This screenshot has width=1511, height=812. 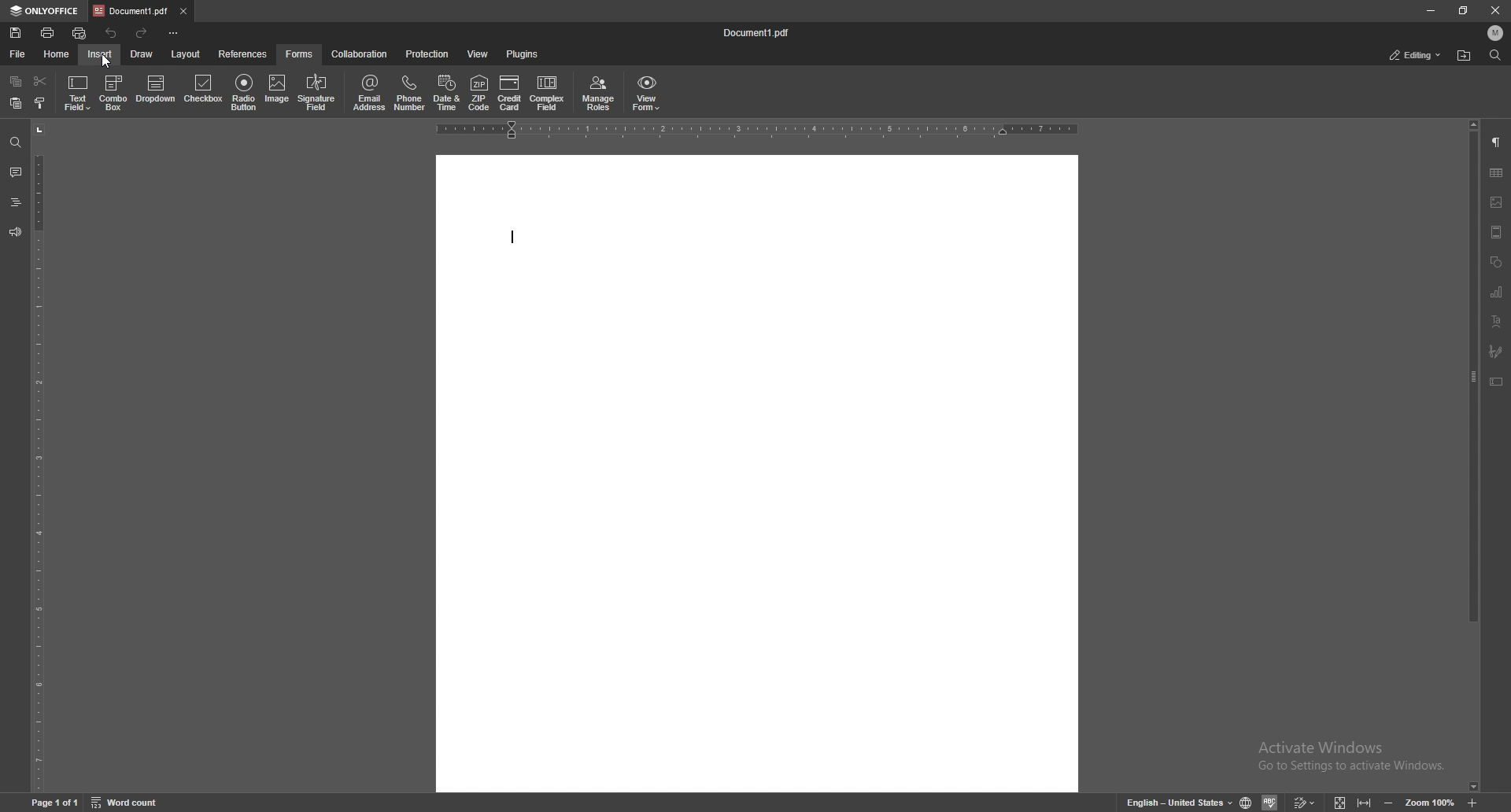 What do you see at coordinates (410, 91) in the screenshot?
I see `phone number` at bounding box center [410, 91].